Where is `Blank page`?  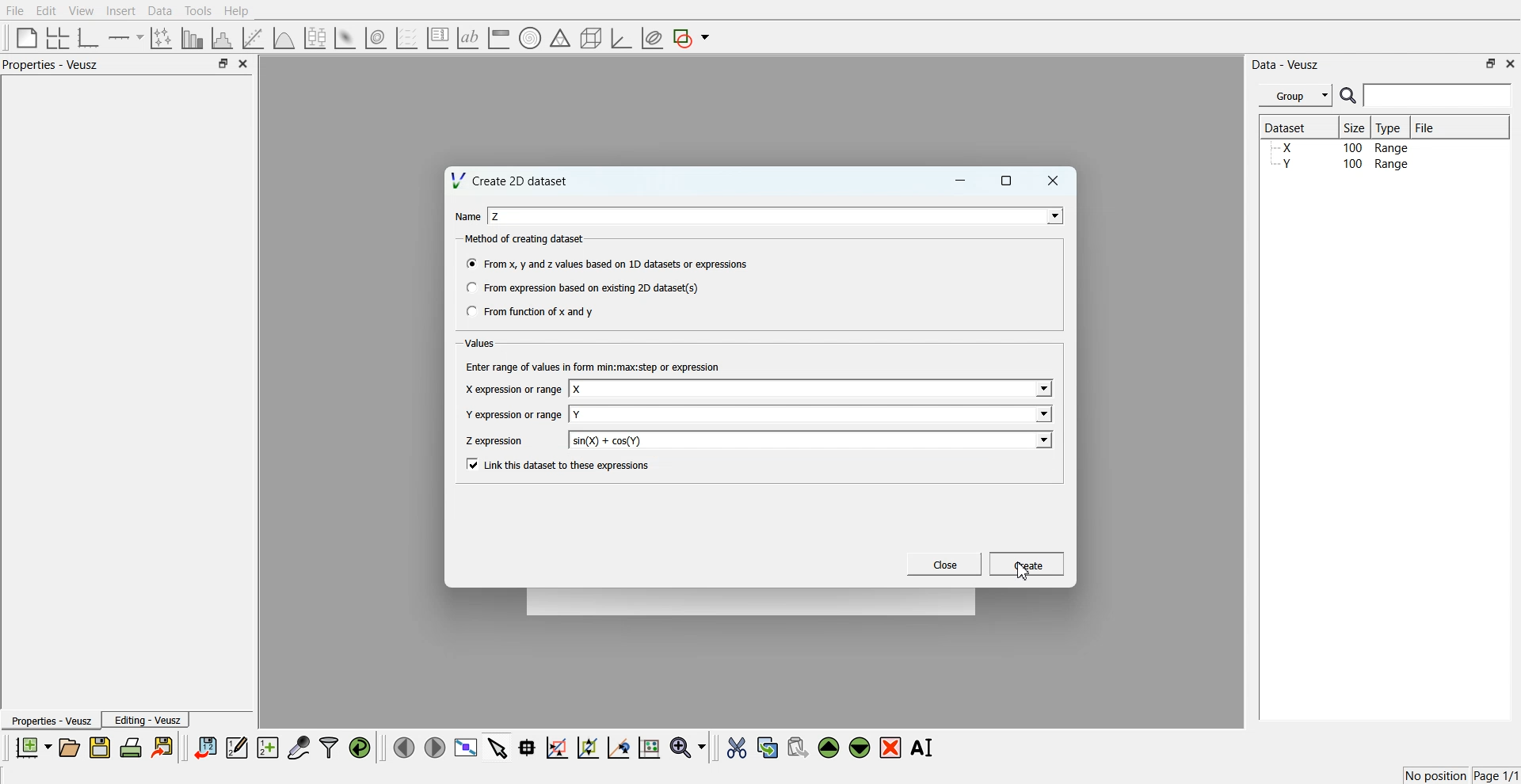
Blank page is located at coordinates (27, 37).